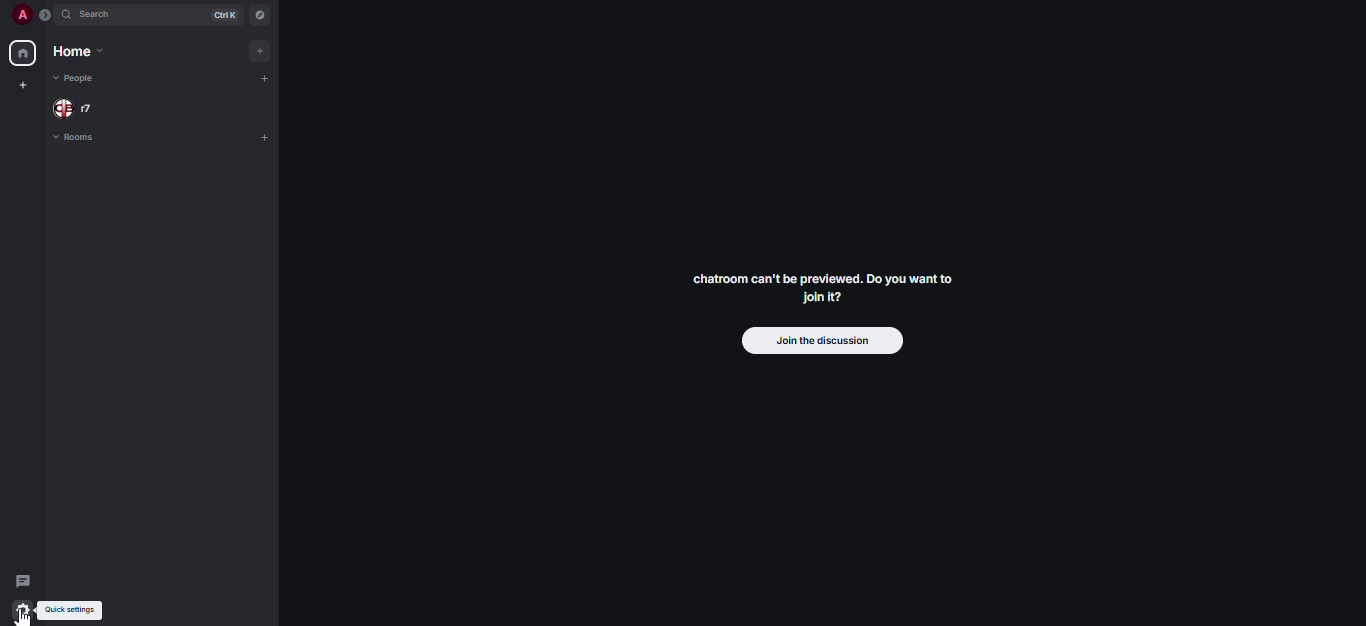 The width and height of the screenshot is (1366, 626). Describe the element at coordinates (266, 135) in the screenshot. I see `add` at that location.